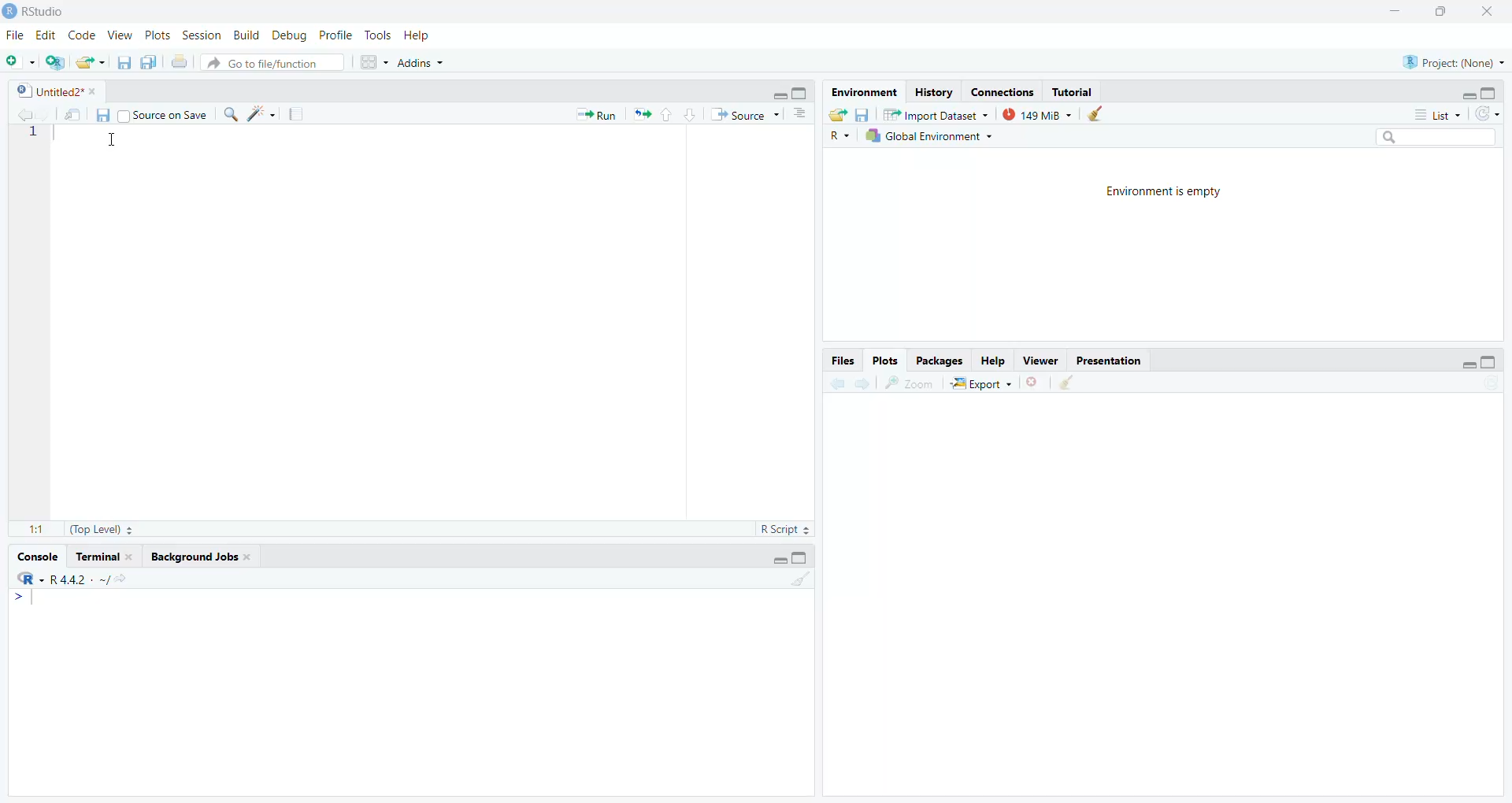 The height and width of the screenshot is (803, 1512). Describe the element at coordinates (35, 557) in the screenshot. I see `Console` at that location.